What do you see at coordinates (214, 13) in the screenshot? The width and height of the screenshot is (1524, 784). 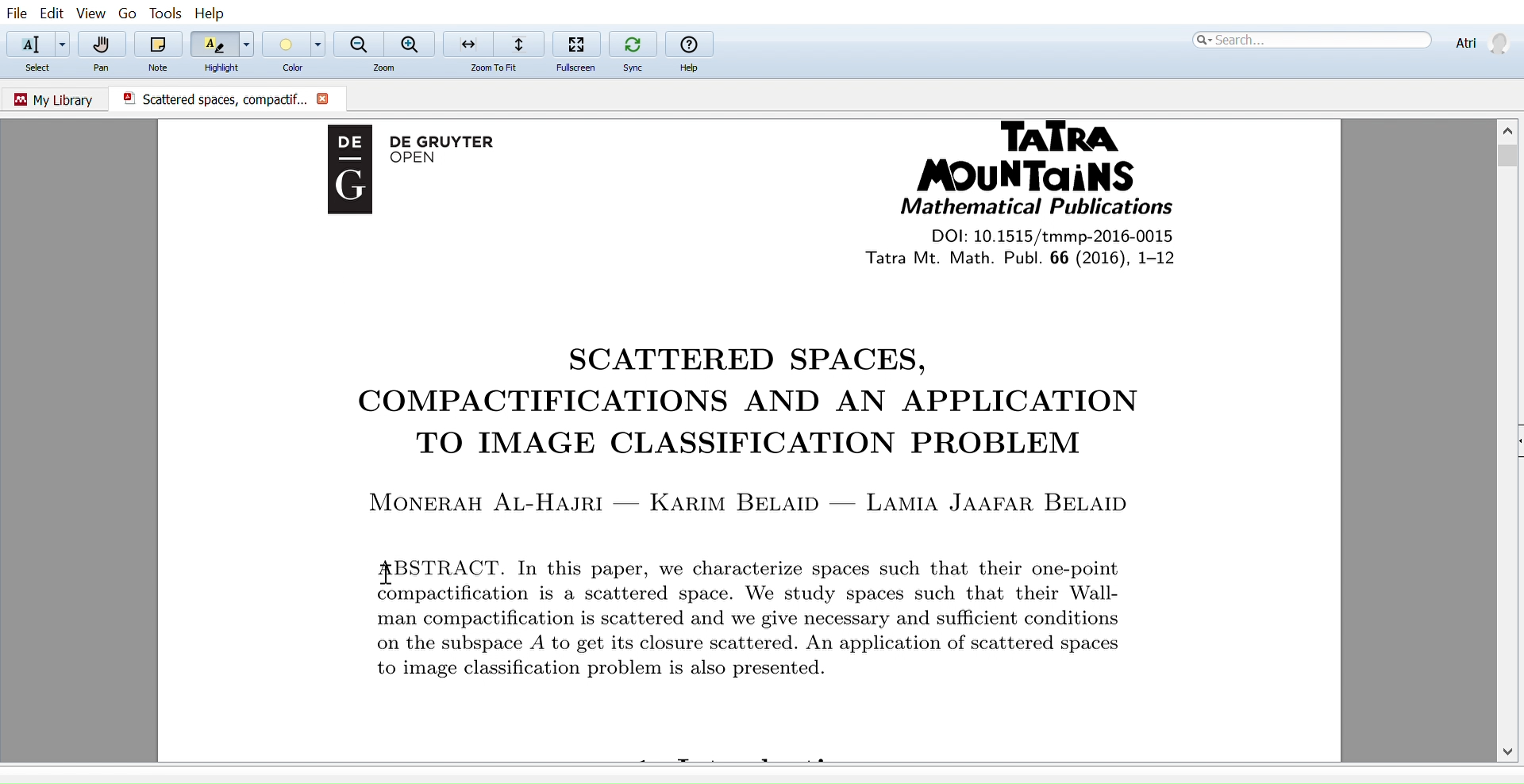 I see `Help` at bounding box center [214, 13].